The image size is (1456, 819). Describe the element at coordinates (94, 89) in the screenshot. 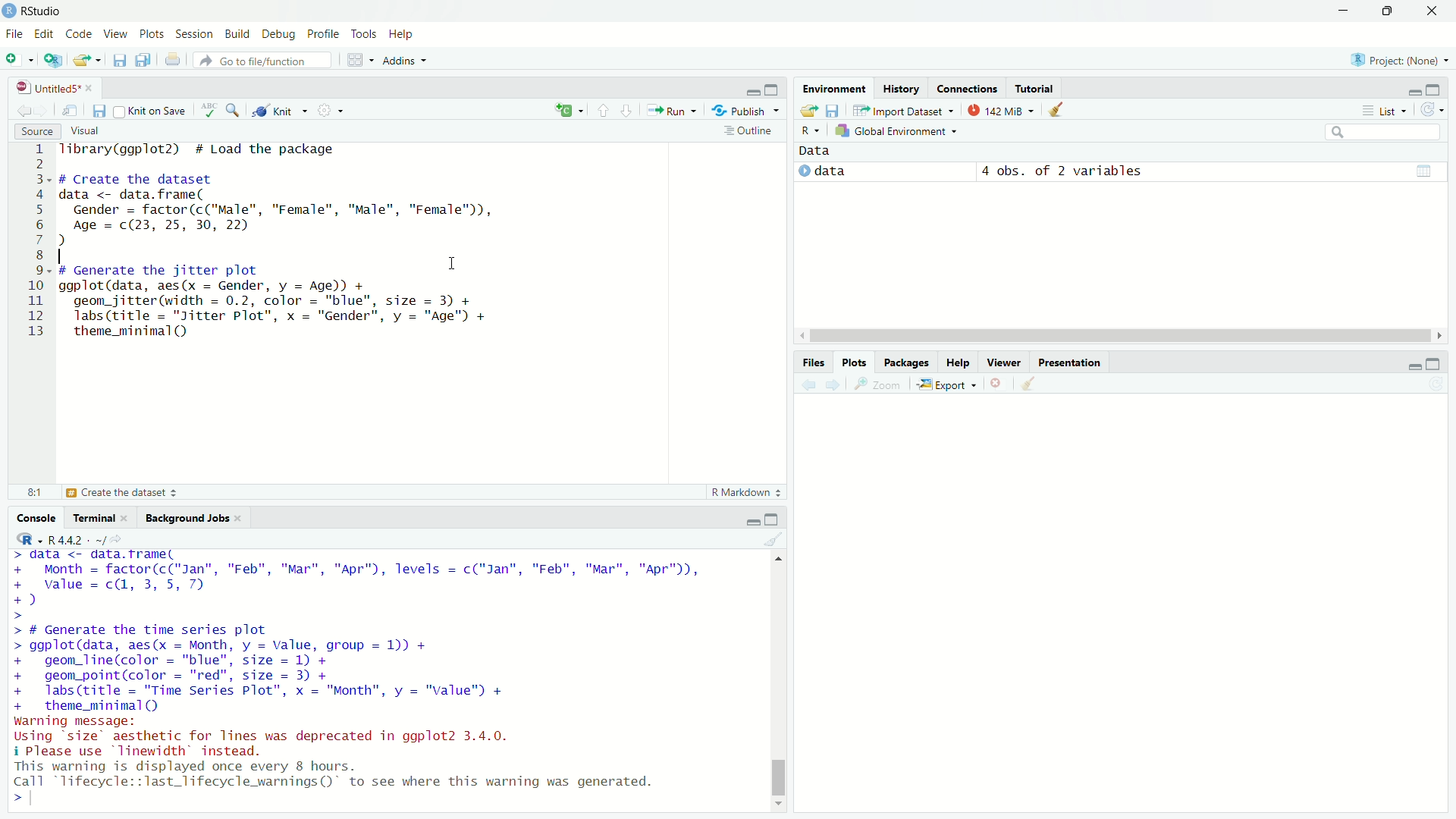

I see `close` at that location.